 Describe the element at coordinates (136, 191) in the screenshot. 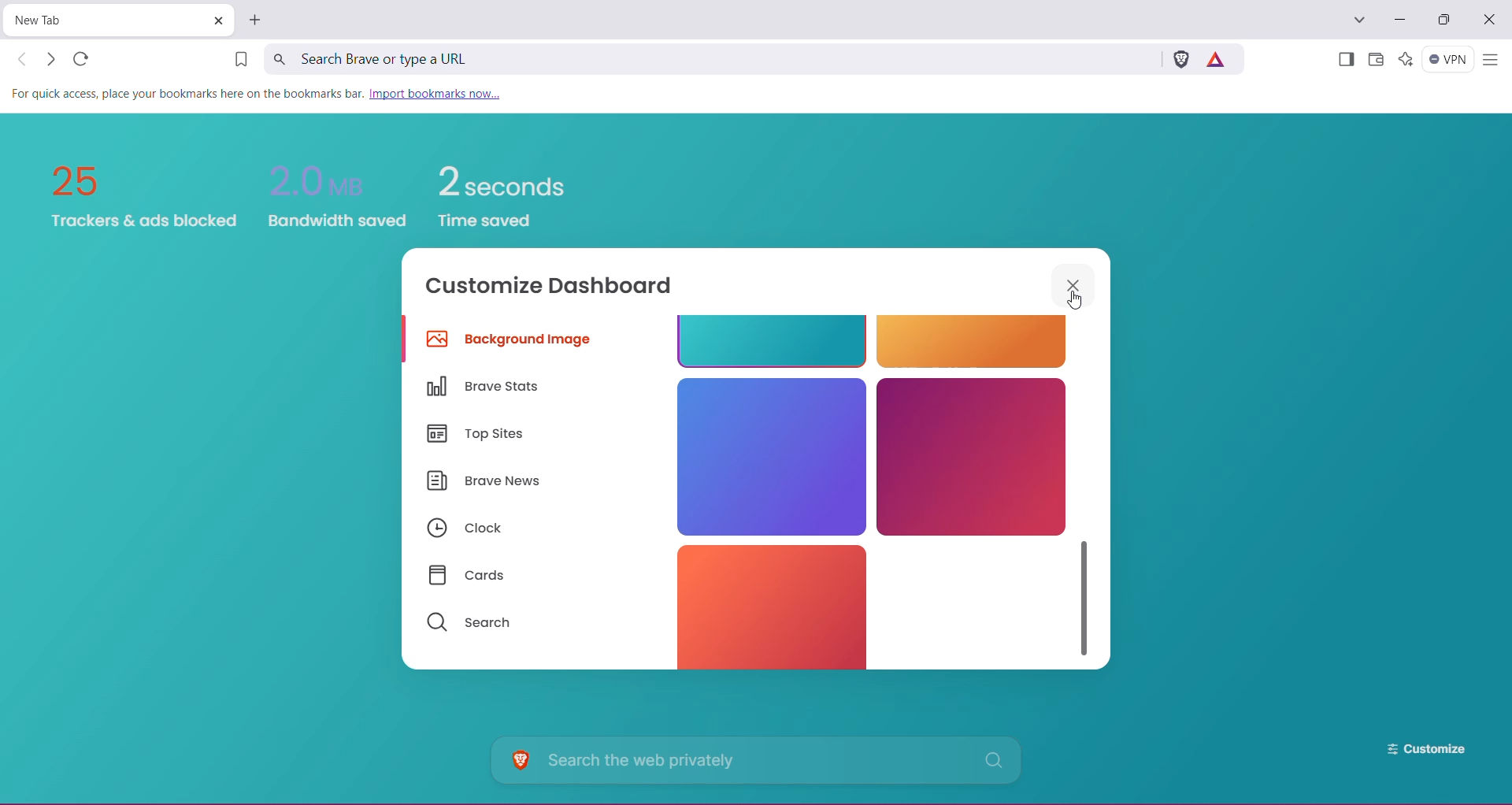

I see `25 trackers & ads blocked` at that location.